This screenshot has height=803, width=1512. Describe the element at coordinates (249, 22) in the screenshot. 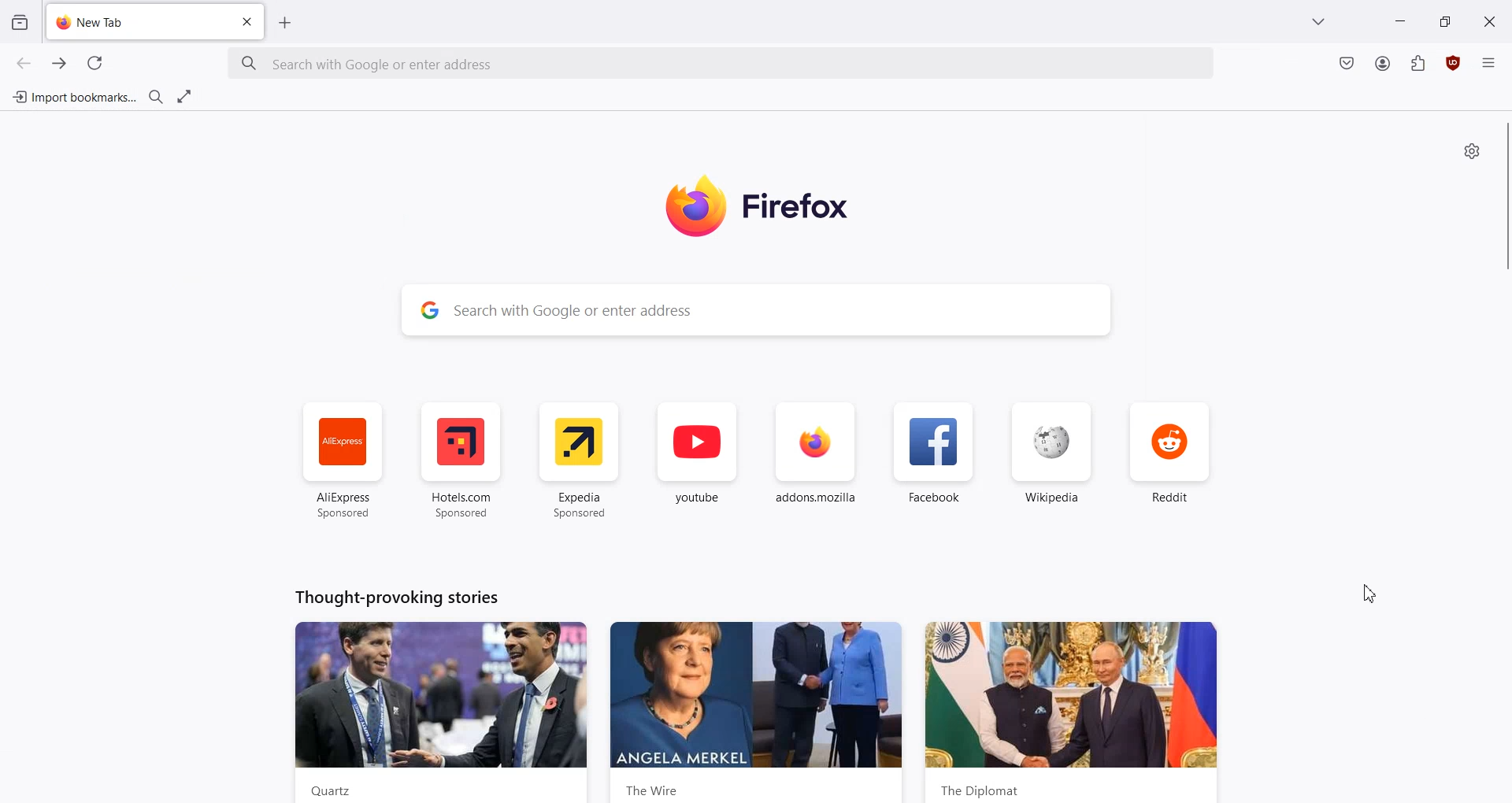

I see `Close Tab` at that location.